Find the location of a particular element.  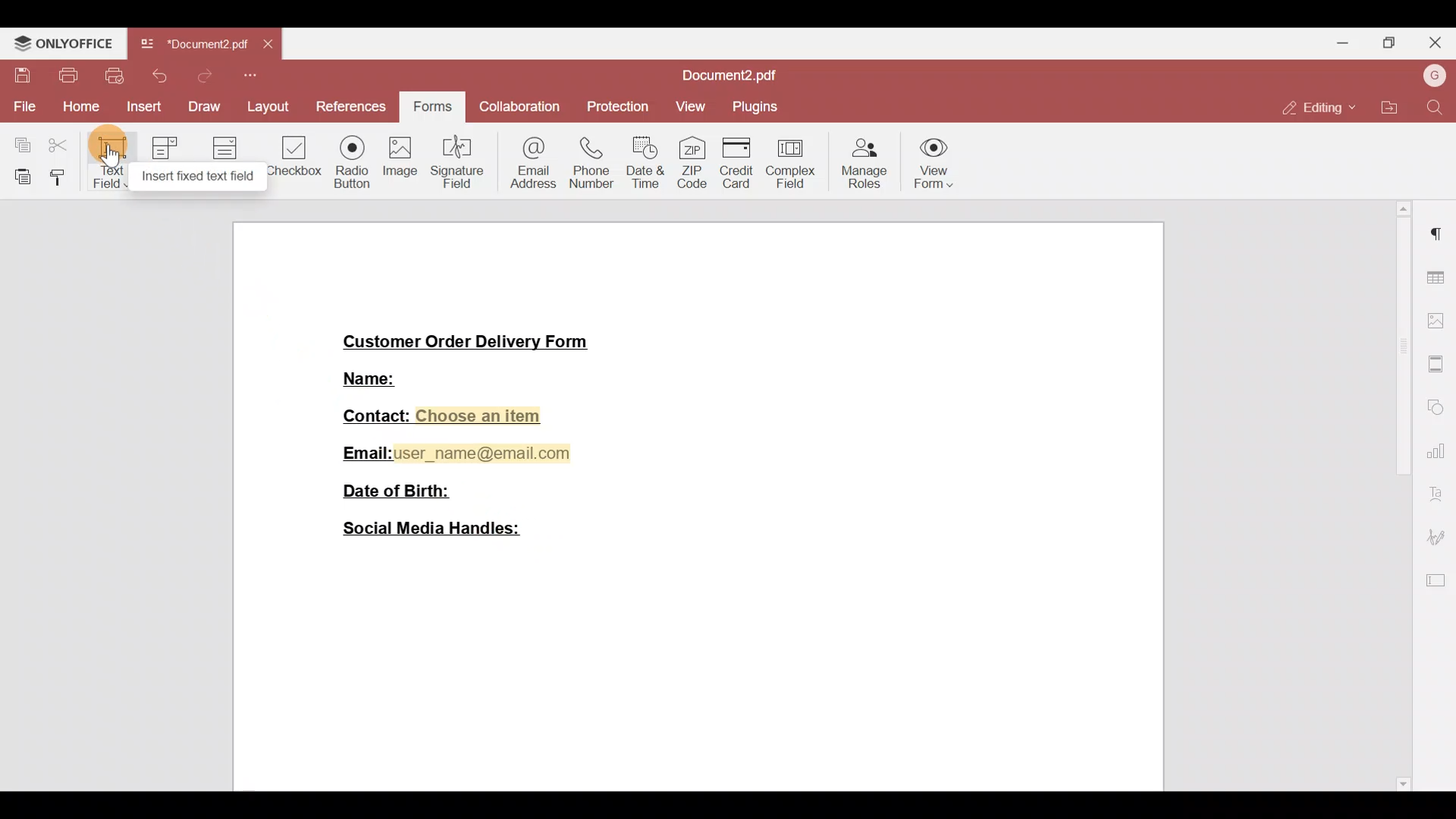

References is located at coordinates (349, 105).